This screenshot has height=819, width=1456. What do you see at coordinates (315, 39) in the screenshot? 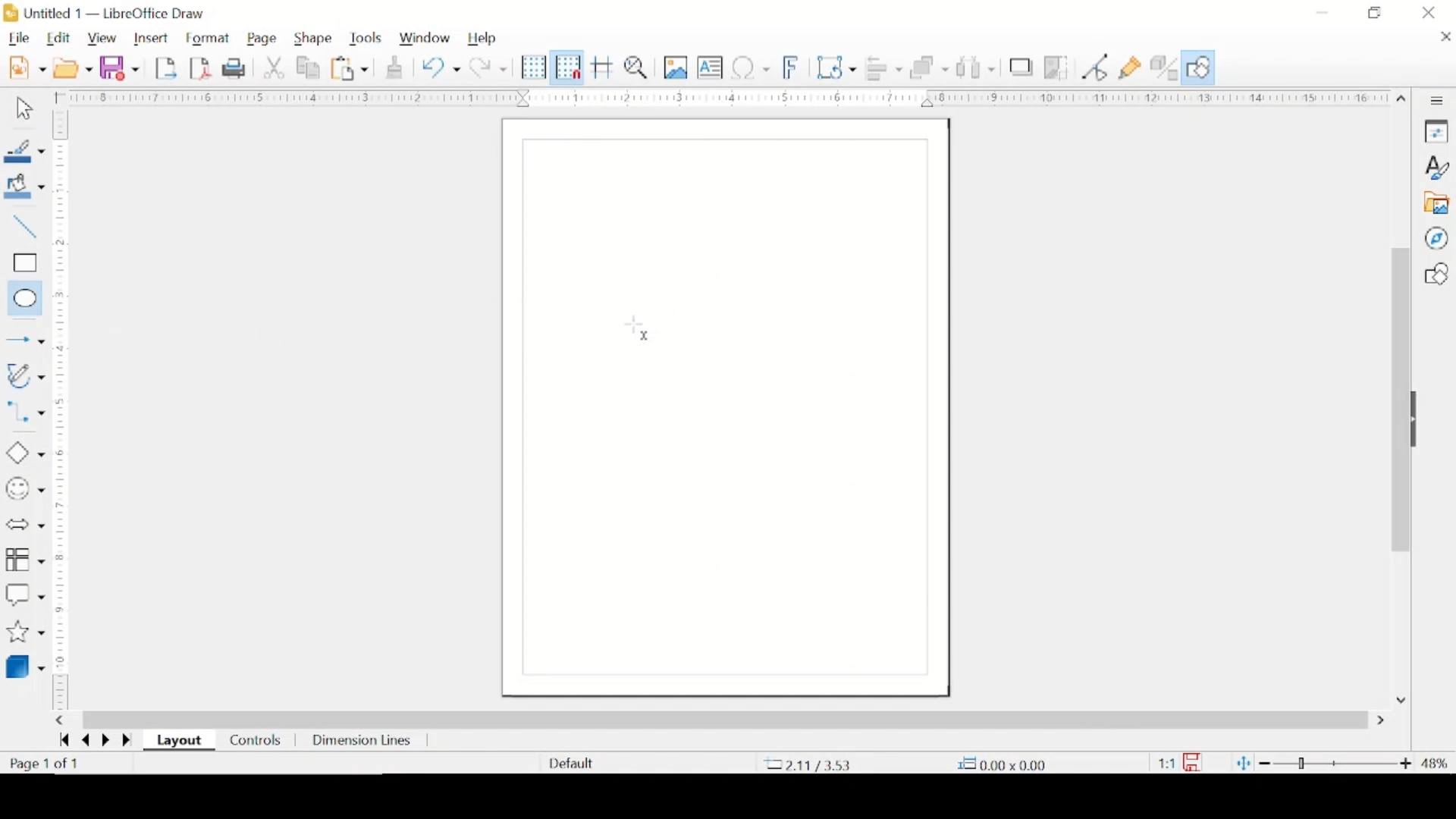
I see `shape` at bounding box center [315, 39].